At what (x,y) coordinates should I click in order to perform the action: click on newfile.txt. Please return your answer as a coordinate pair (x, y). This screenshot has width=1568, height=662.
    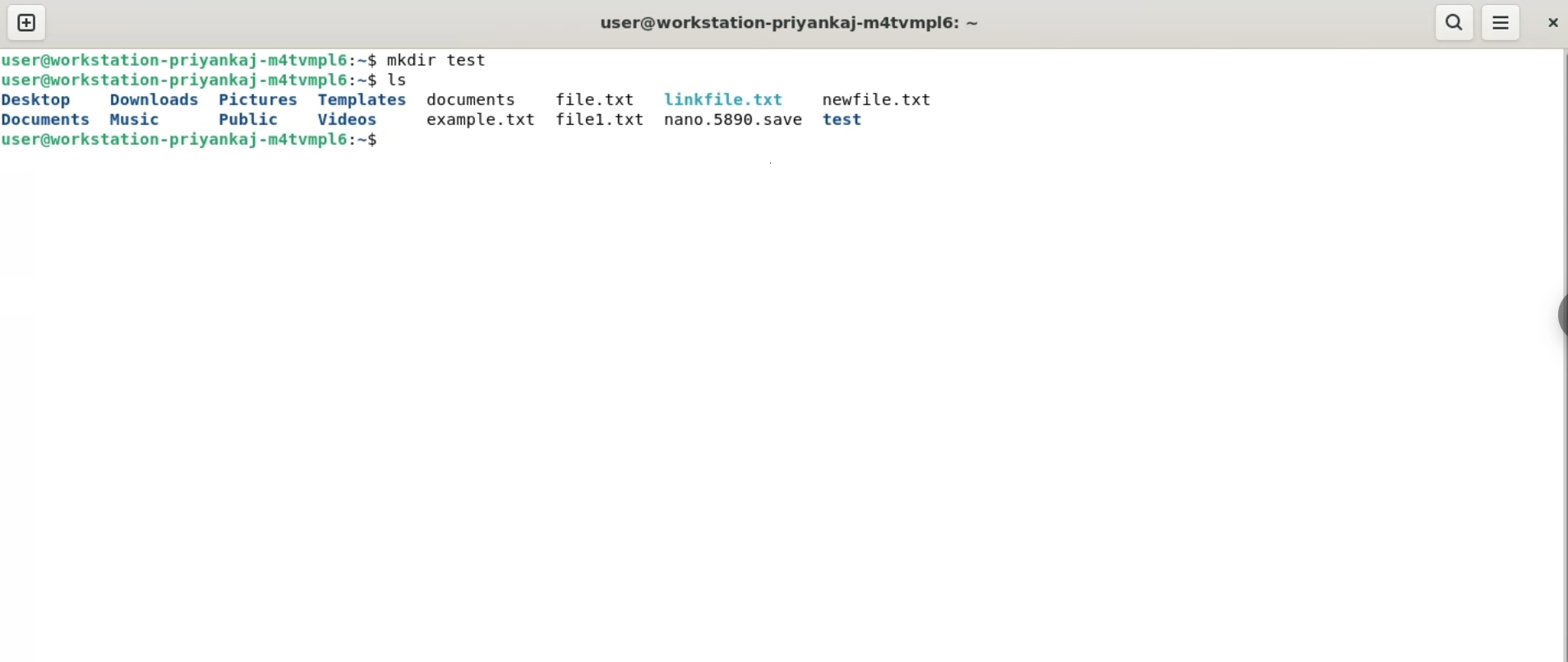
    Looking at the image, I should click on (877, 99).